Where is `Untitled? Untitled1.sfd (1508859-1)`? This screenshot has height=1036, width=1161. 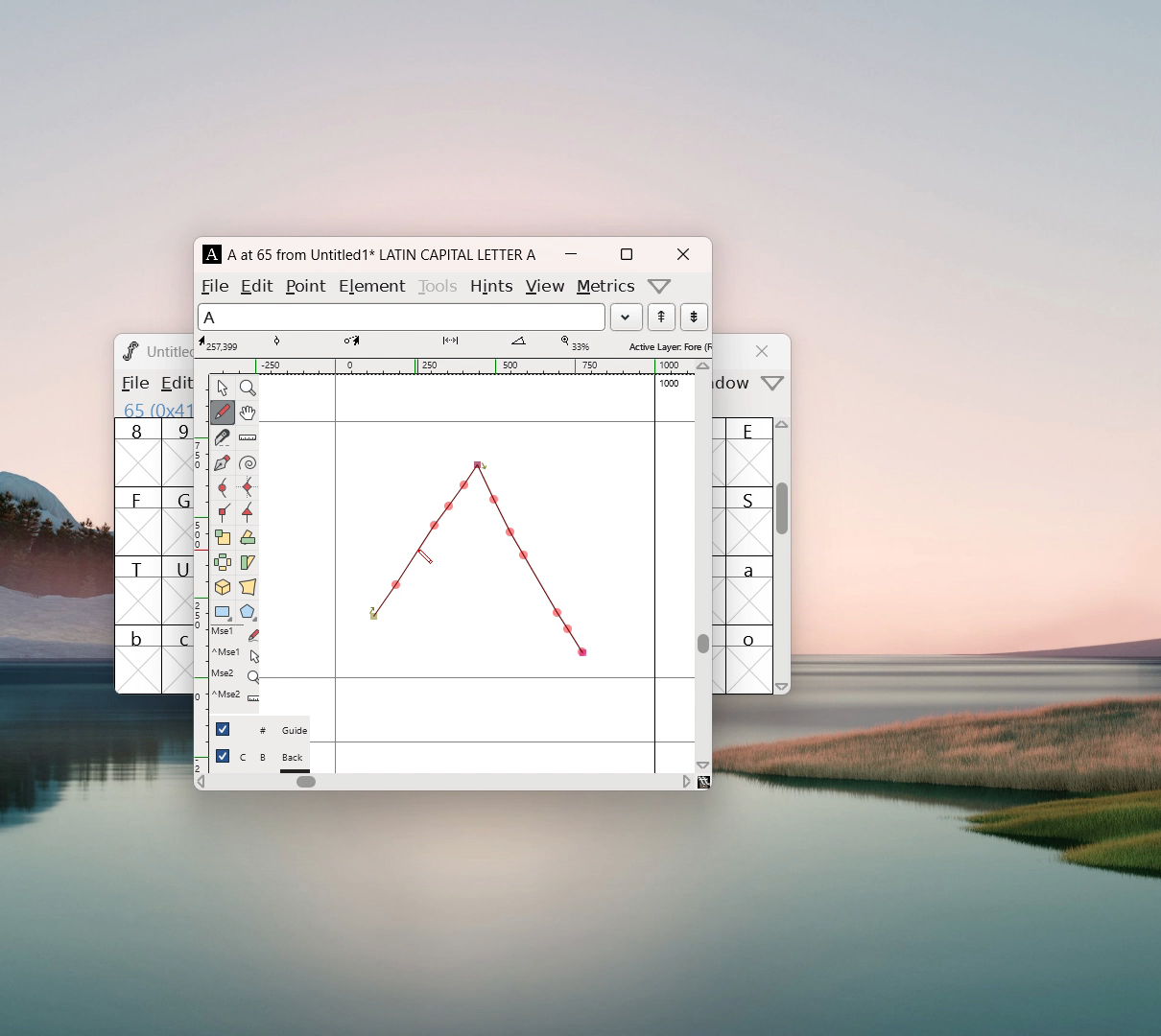
Untitled? Untitled1.sfd (1508859-1) is located at coordinates (170, 351).